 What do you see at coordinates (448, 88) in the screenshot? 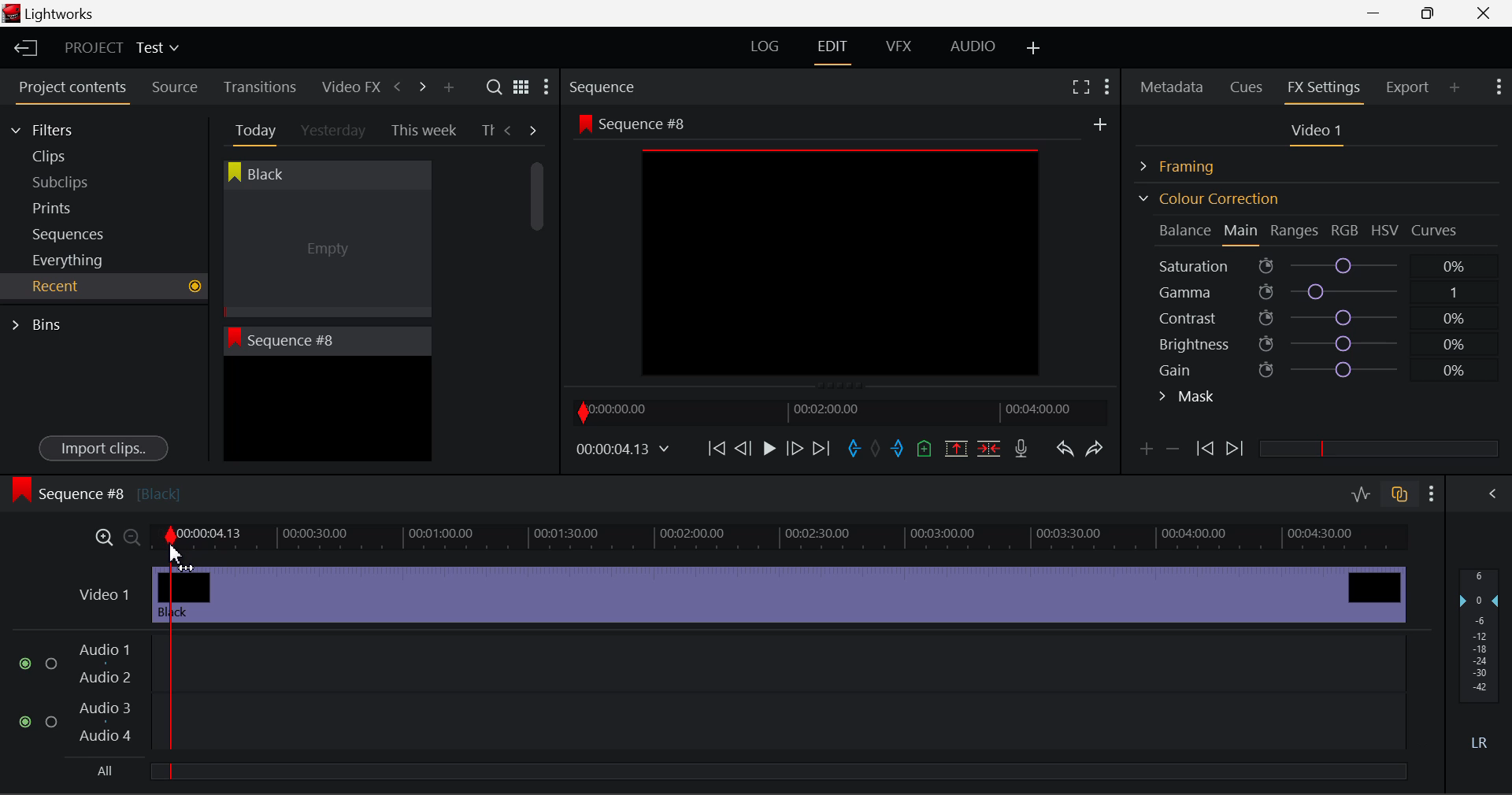
I see `Add Panel` at bounding box center [448, 88].